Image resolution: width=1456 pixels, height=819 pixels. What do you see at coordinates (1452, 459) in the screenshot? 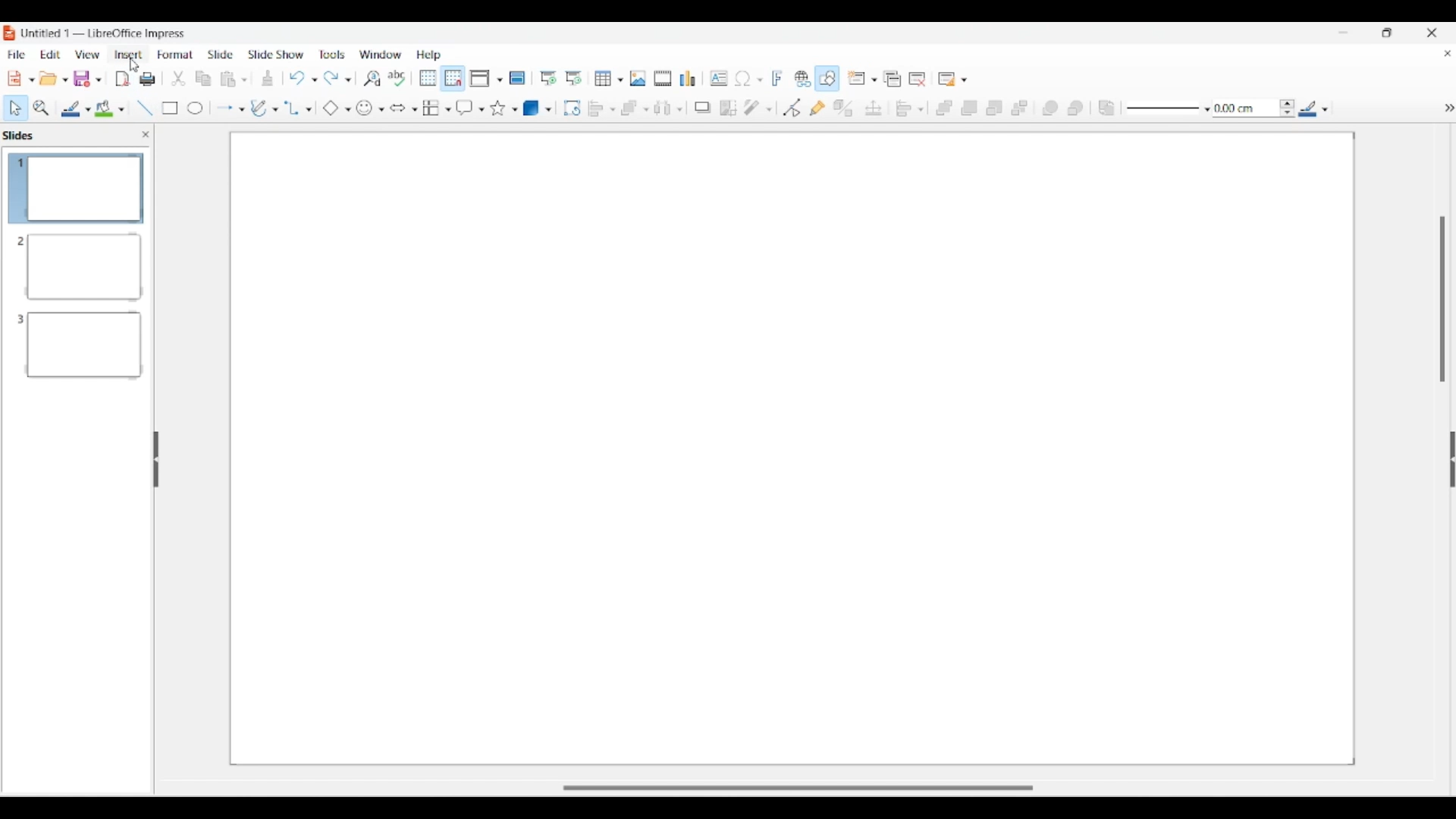
I see `Show right panel` at bounding box center [1452, 459].